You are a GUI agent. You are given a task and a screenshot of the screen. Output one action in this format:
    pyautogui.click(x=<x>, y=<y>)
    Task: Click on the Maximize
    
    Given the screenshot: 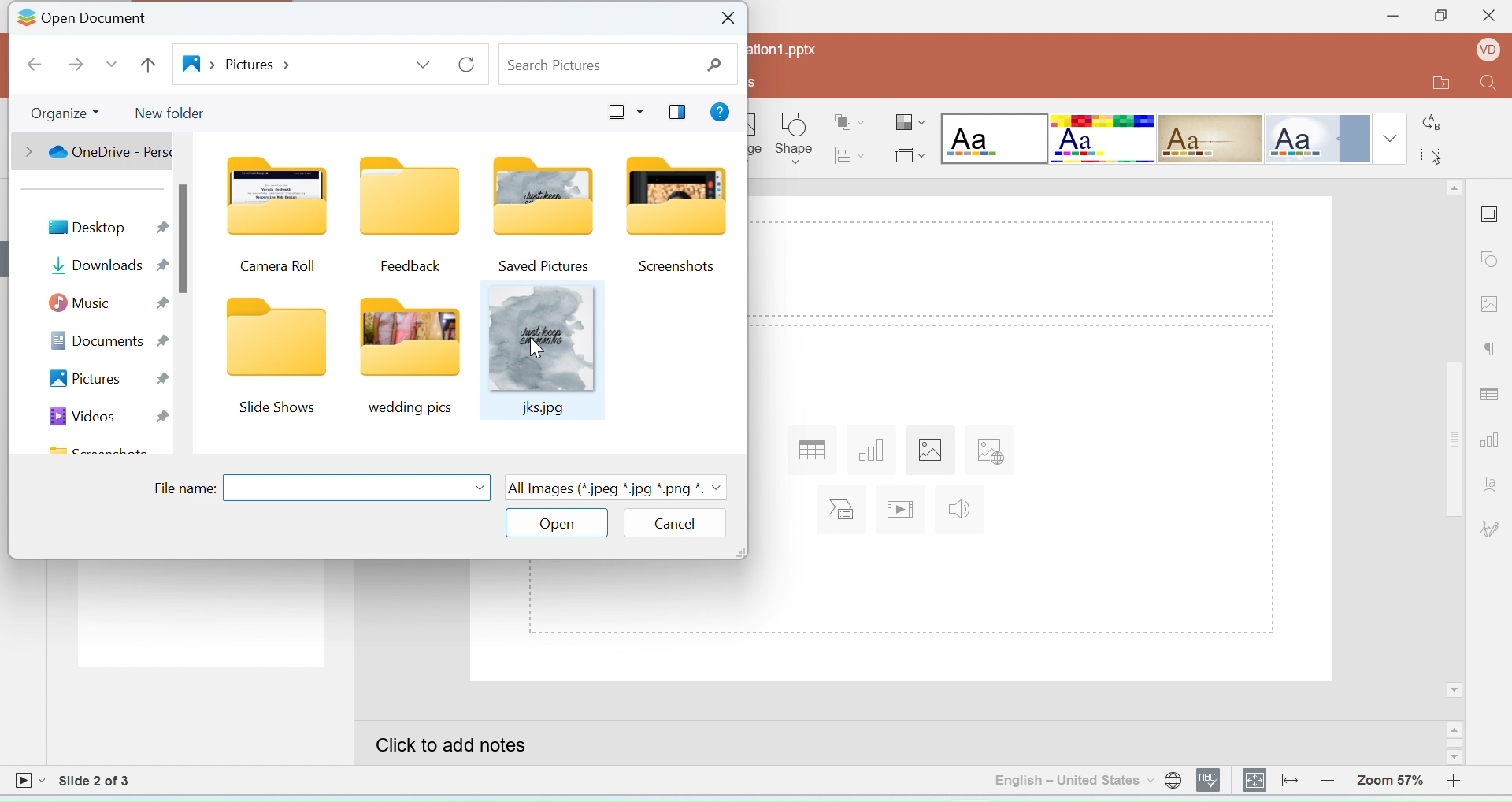 What is the action you would take?
    pyautogui.click(x=1440, y=18)
    